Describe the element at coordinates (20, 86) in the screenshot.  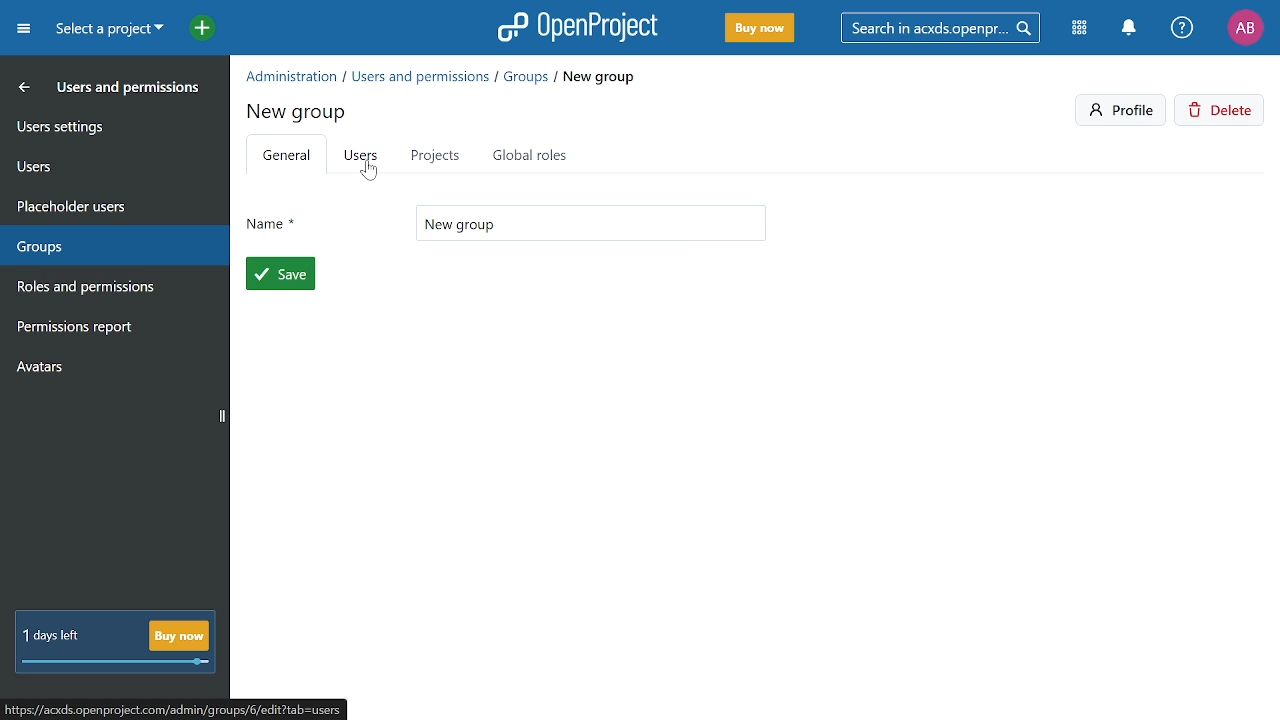
I see `MOve back` at that location.